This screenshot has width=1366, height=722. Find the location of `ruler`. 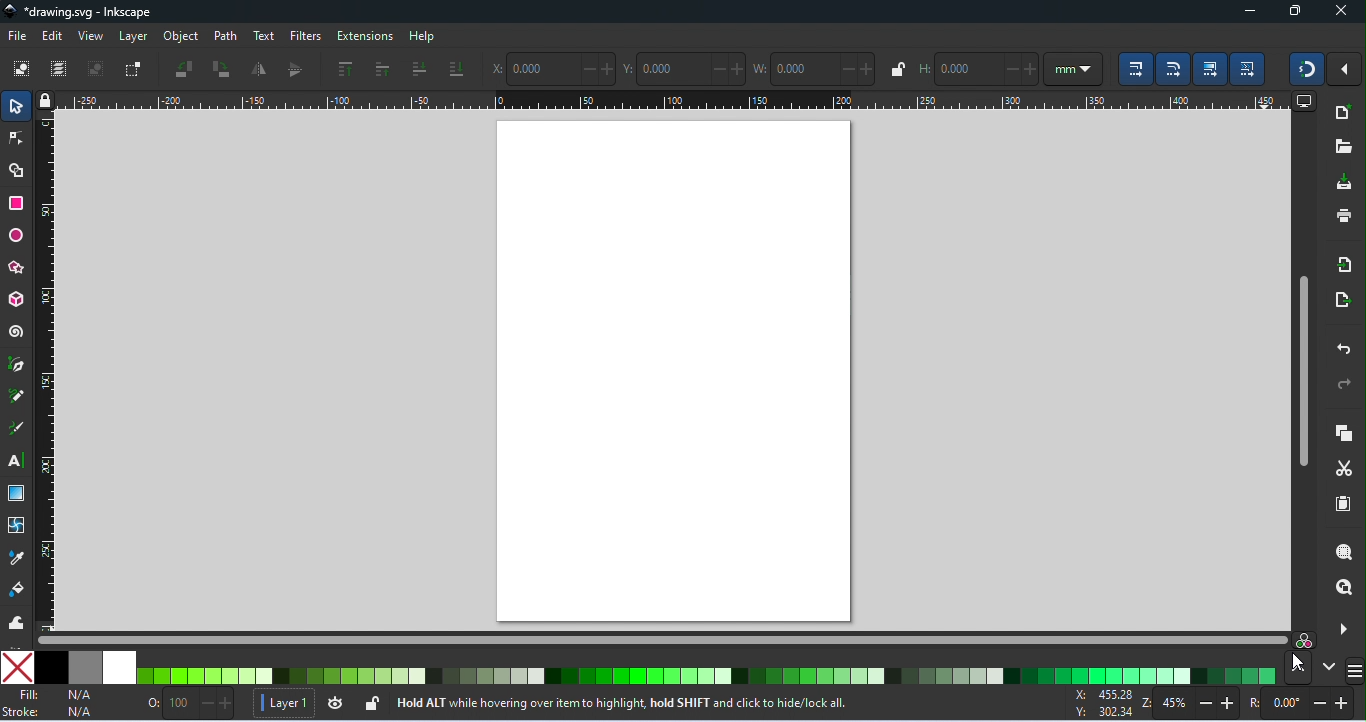

ruler is located at coordinates (677, 101).